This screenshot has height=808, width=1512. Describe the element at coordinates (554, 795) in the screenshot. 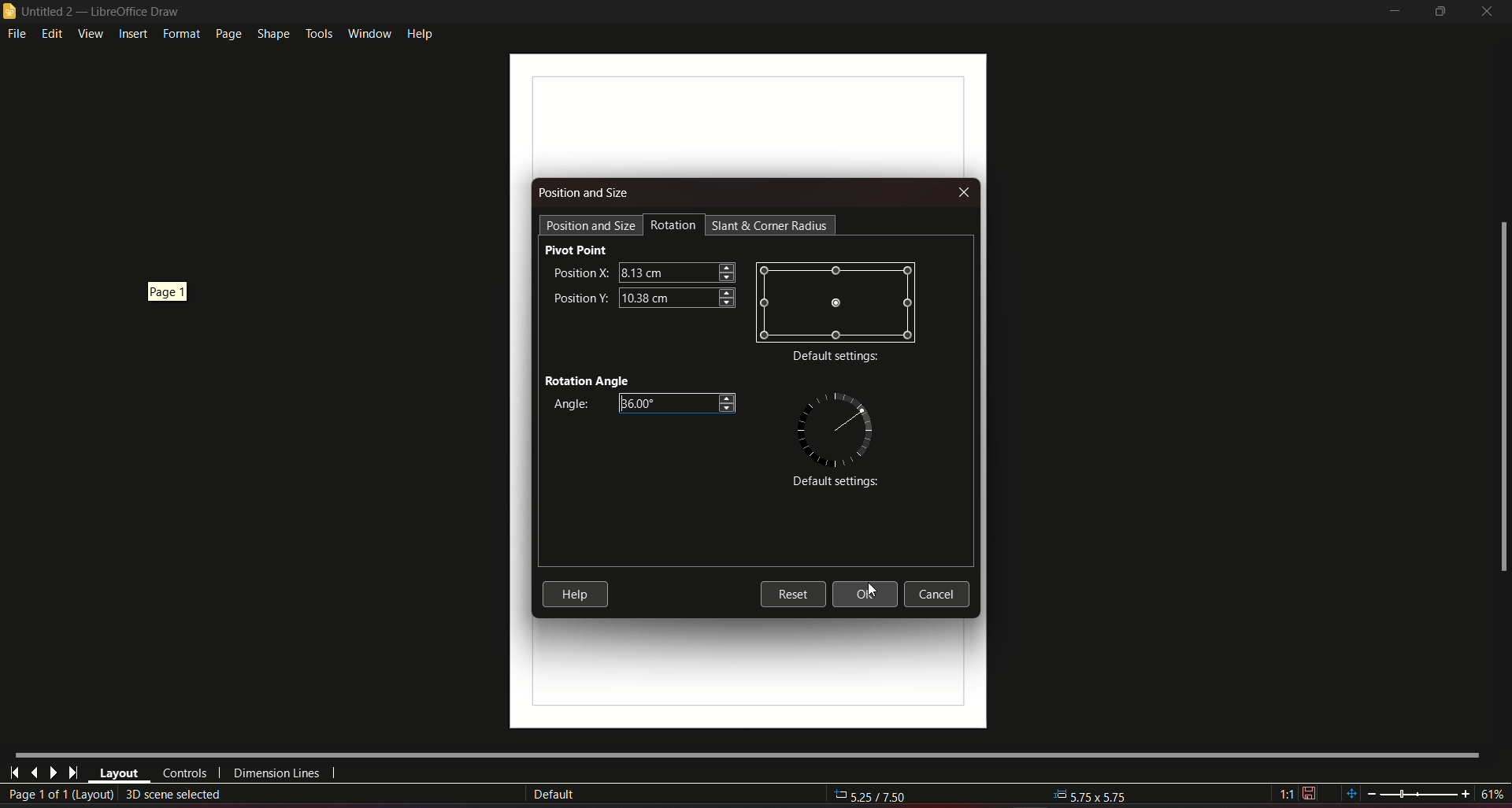

I see `Default` at that location.